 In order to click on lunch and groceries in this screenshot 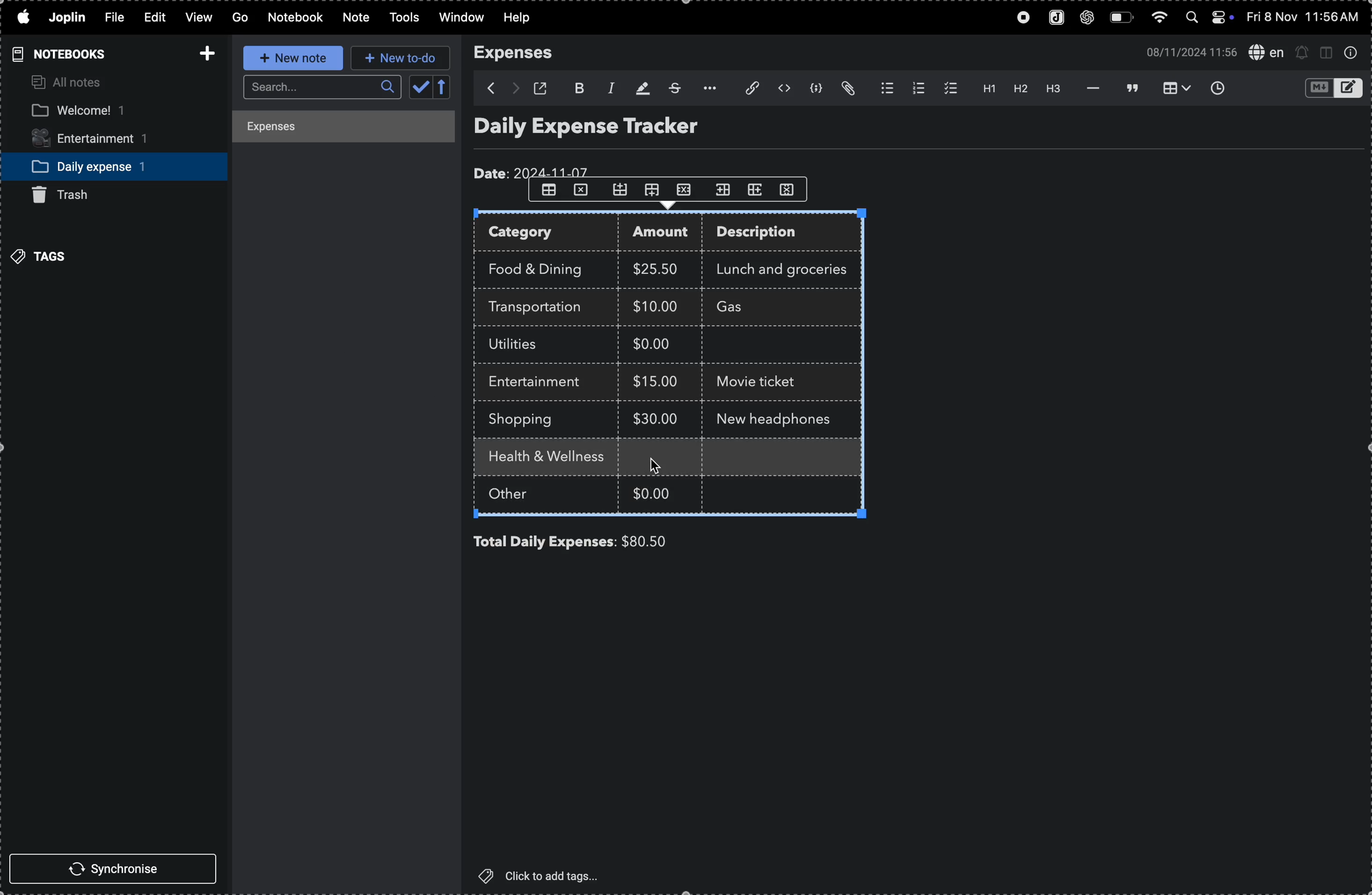, I will do `click(789, 268)`.